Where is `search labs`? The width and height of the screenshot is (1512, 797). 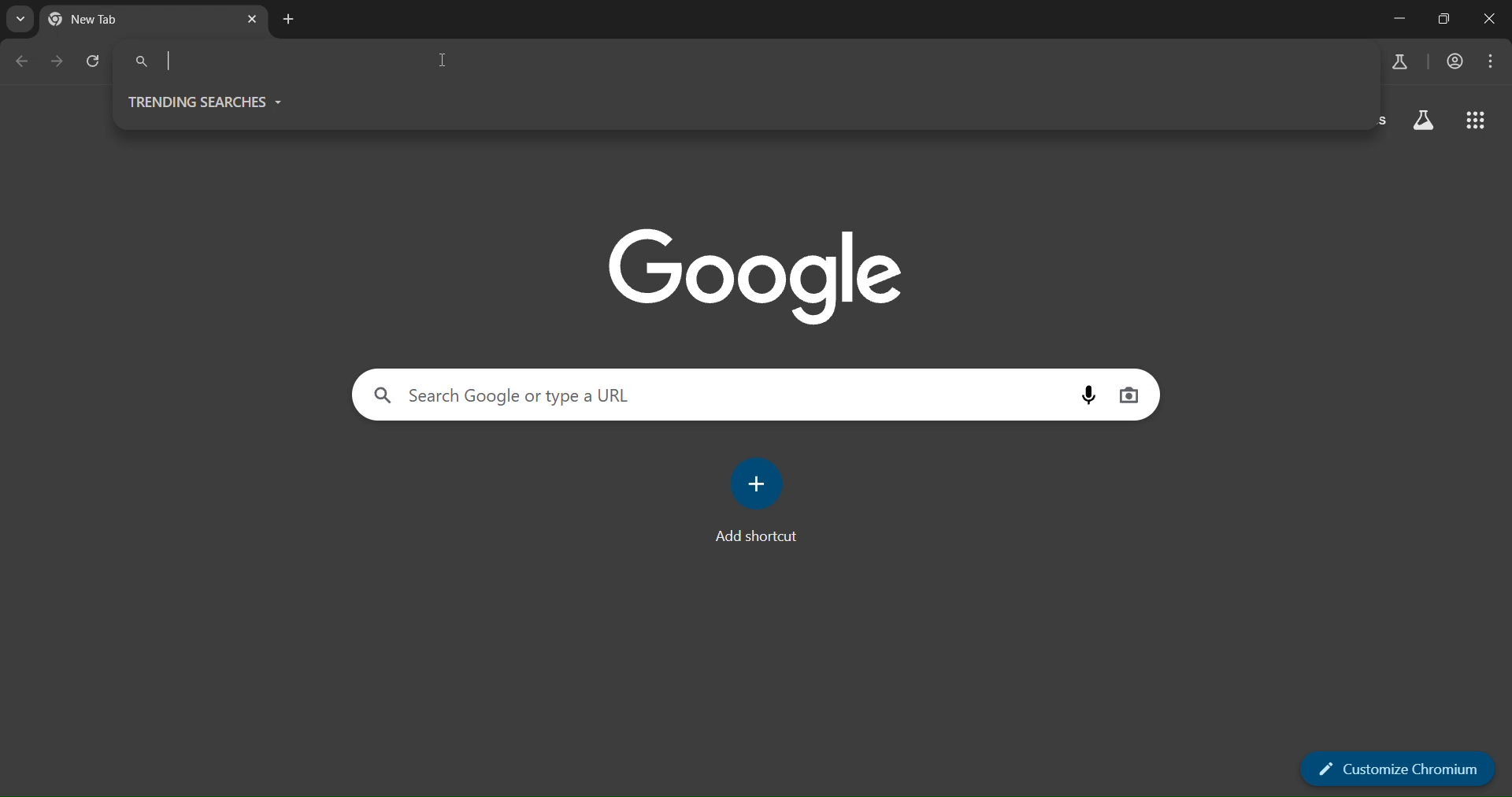
search labs is located at coordinates (1423, 120).